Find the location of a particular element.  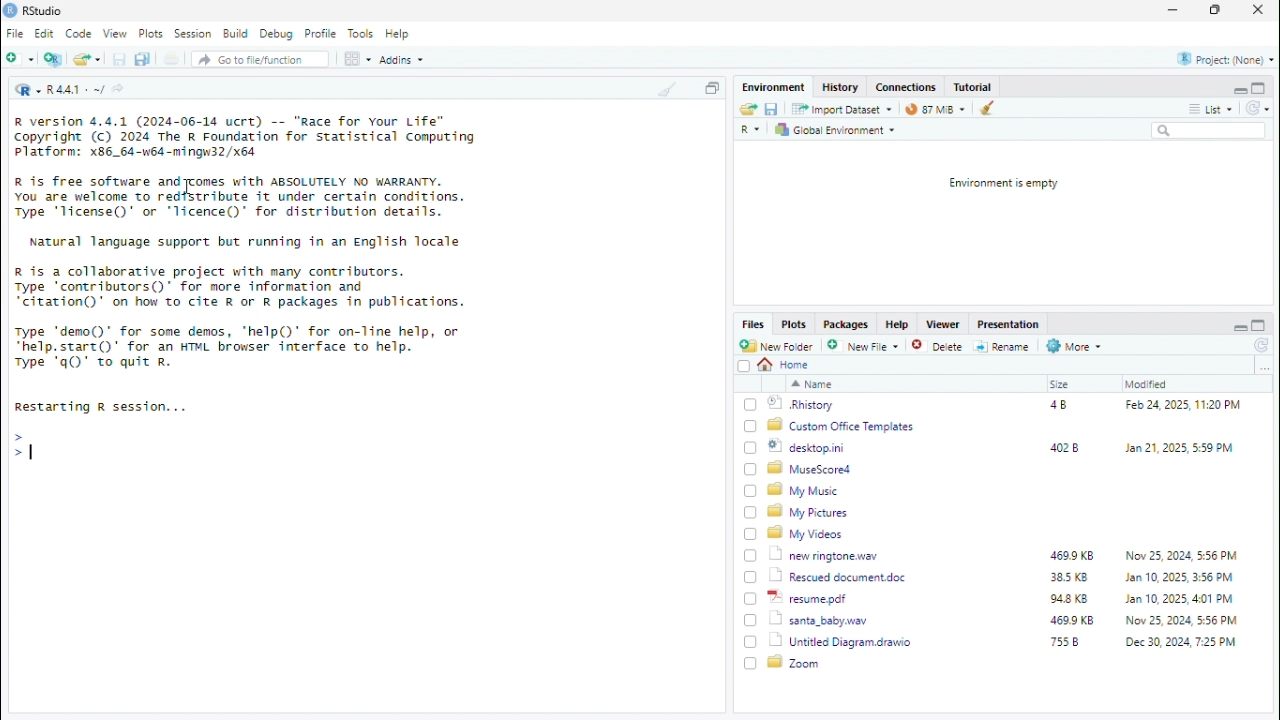

Arrow  is located at coordinates (19, 436).